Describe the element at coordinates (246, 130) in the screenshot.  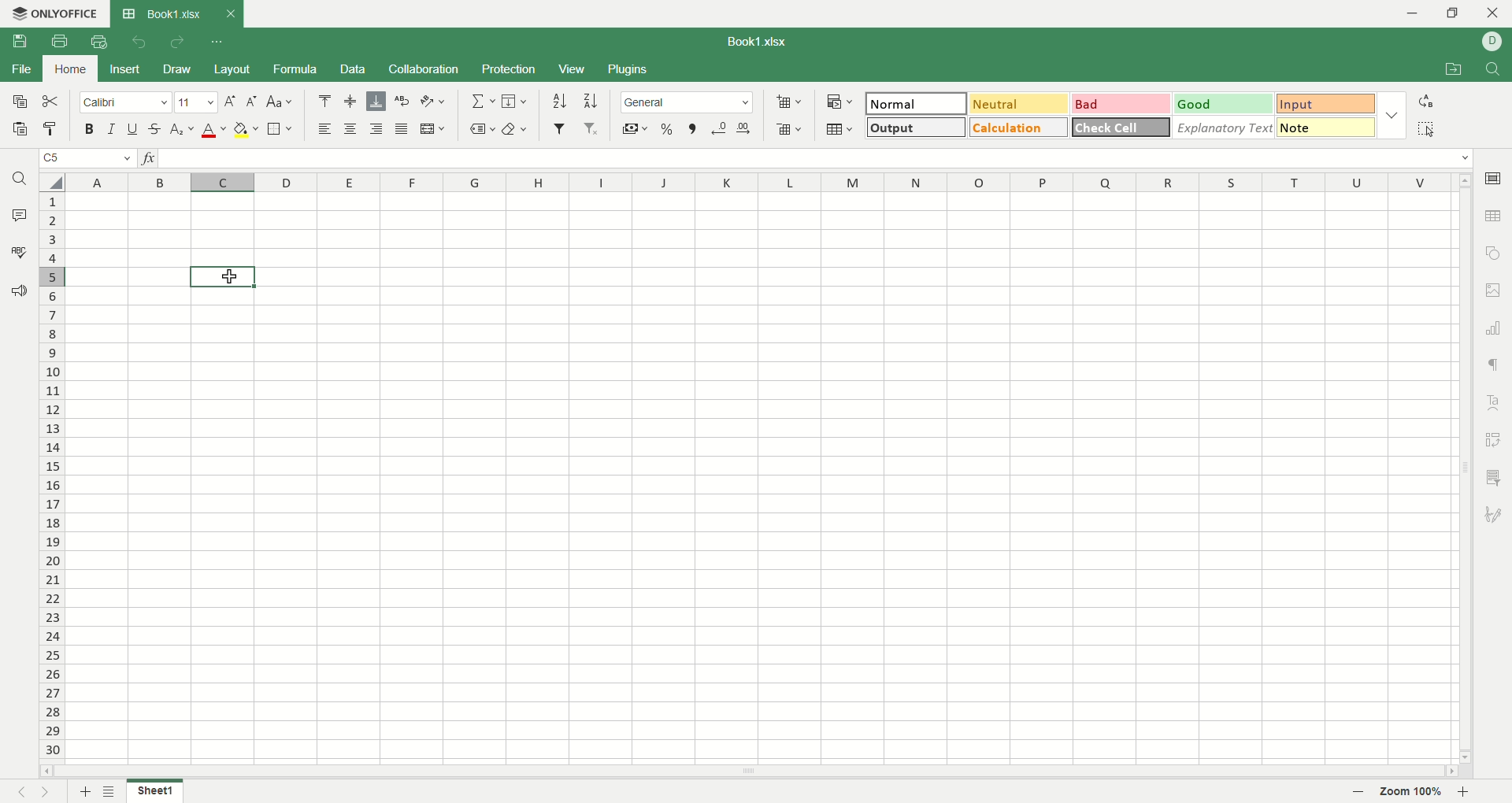
I see `fill color` at that location.